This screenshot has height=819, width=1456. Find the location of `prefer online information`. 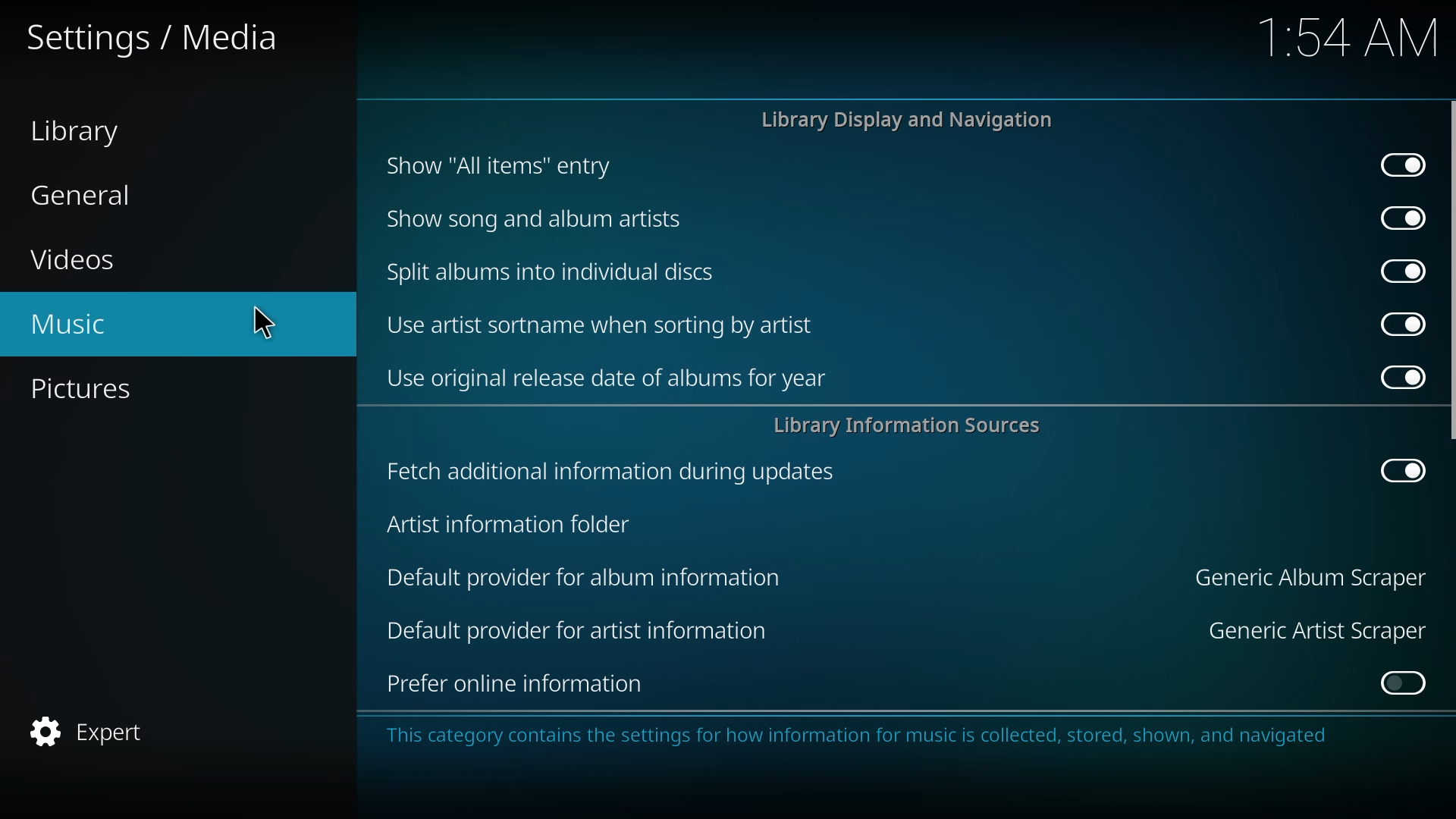

prefer online information is located at coordinates (519, 684).